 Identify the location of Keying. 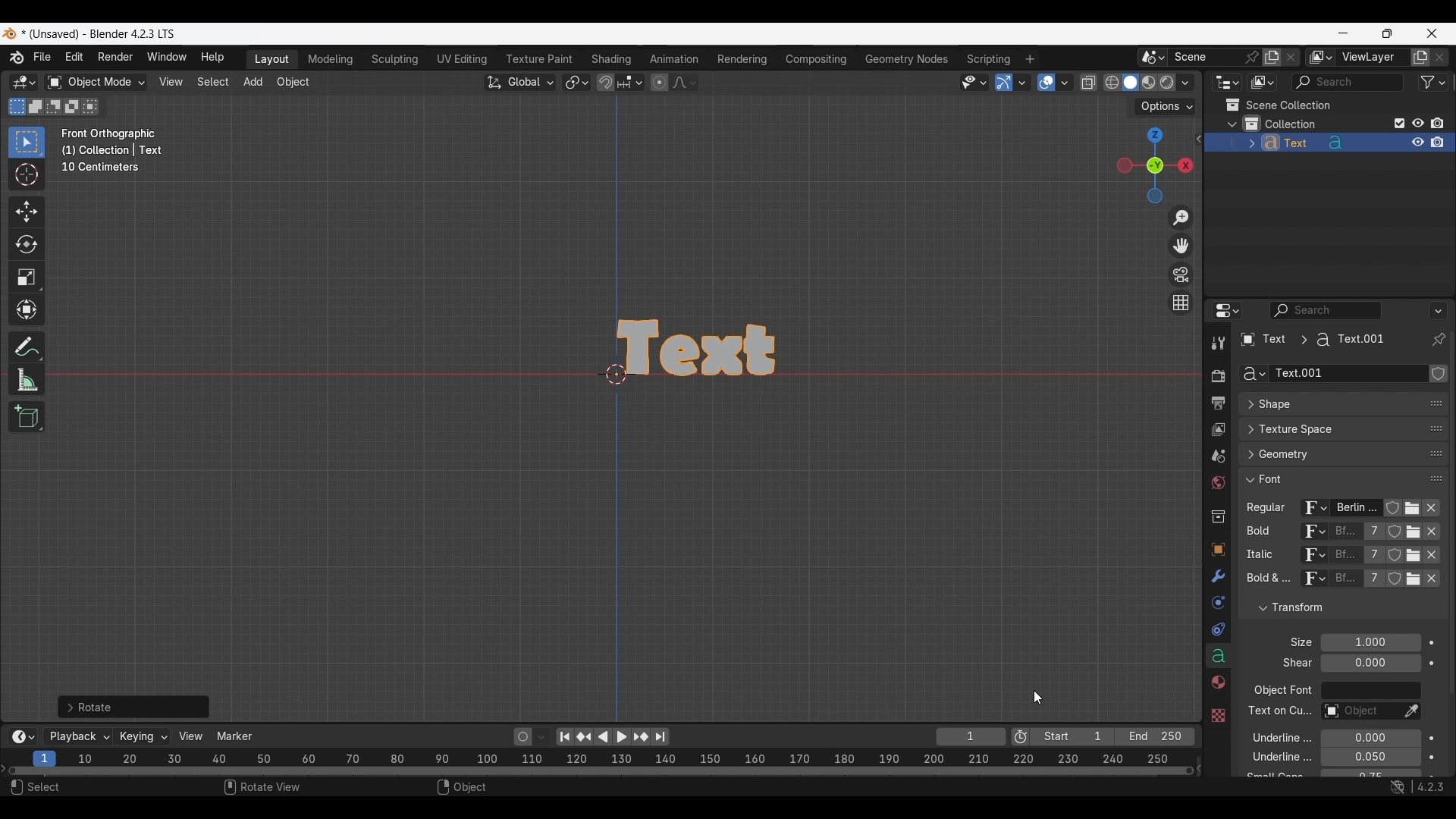
(142, 736).